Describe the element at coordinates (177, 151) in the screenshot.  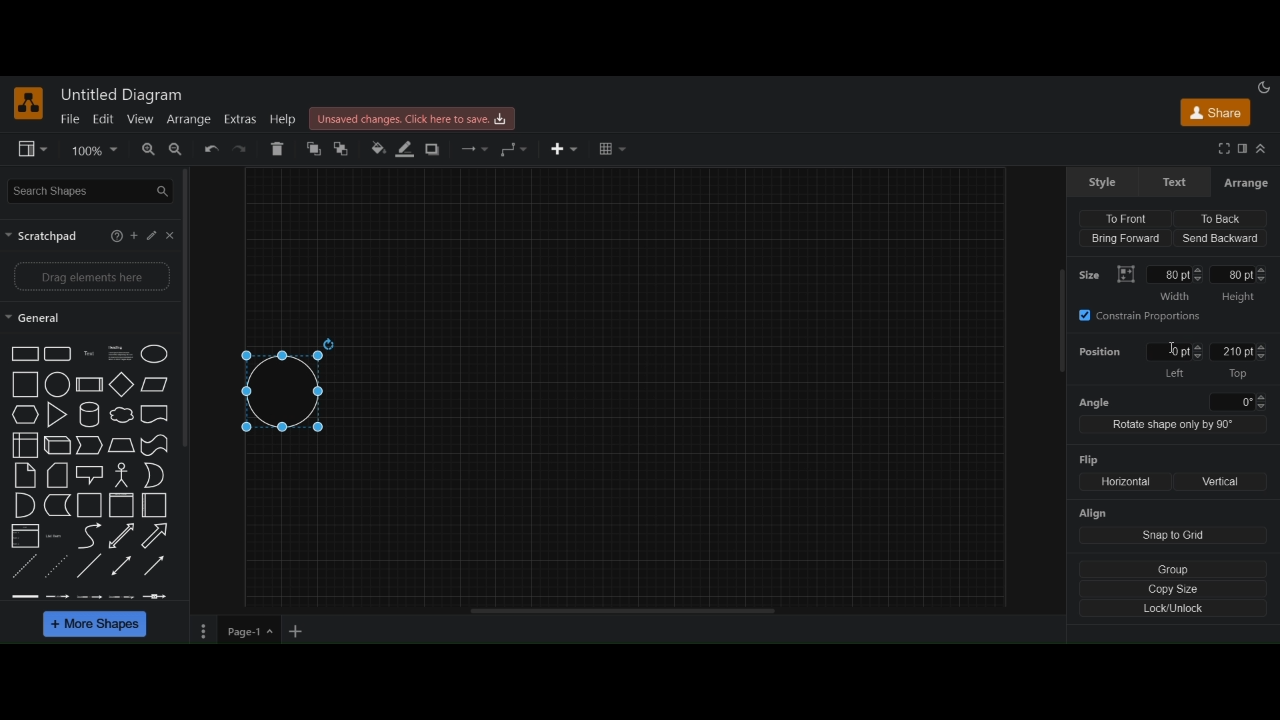
I see `zoom out` at that location.